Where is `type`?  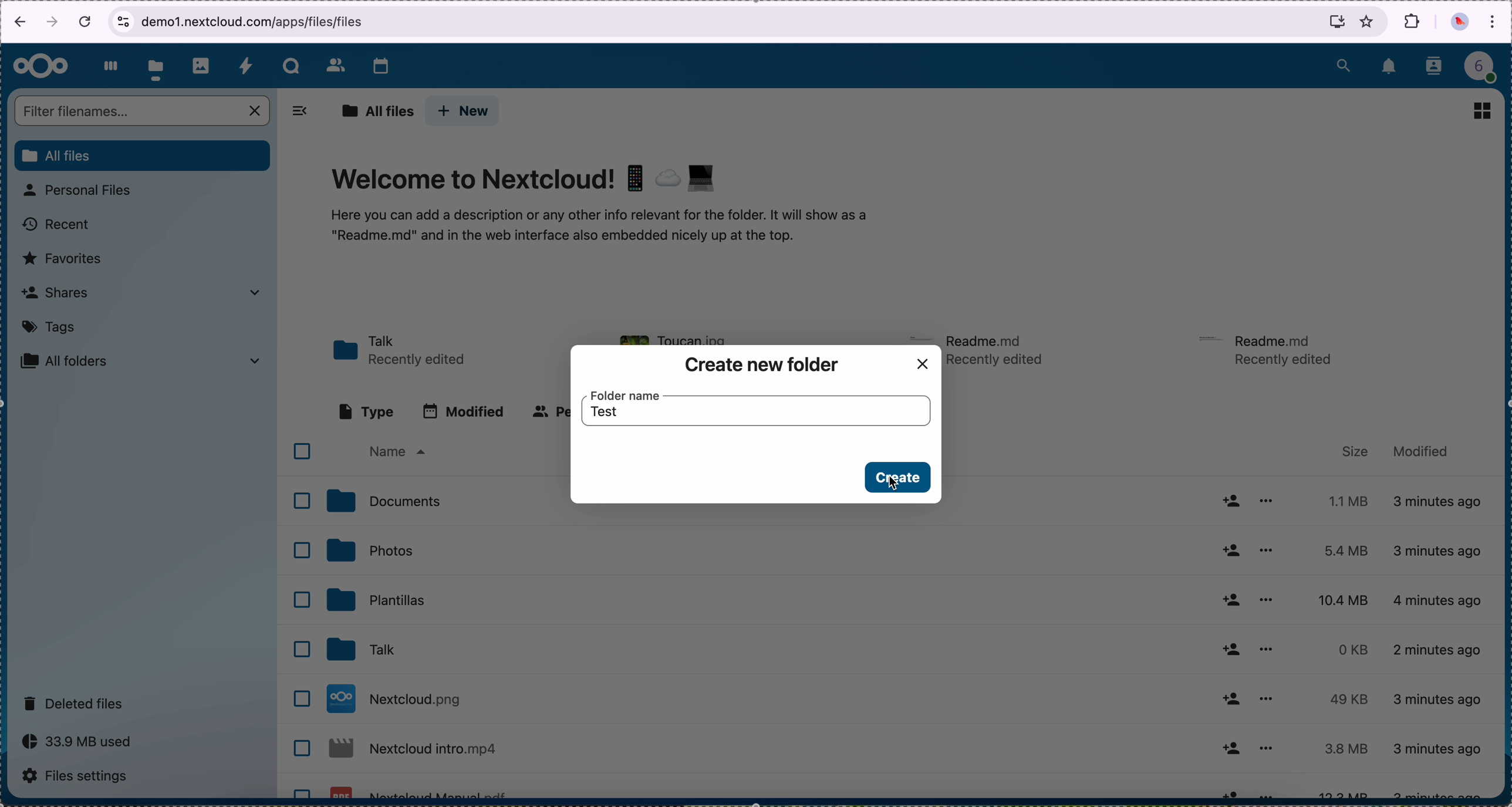 type is located at coordinates (367, 412).